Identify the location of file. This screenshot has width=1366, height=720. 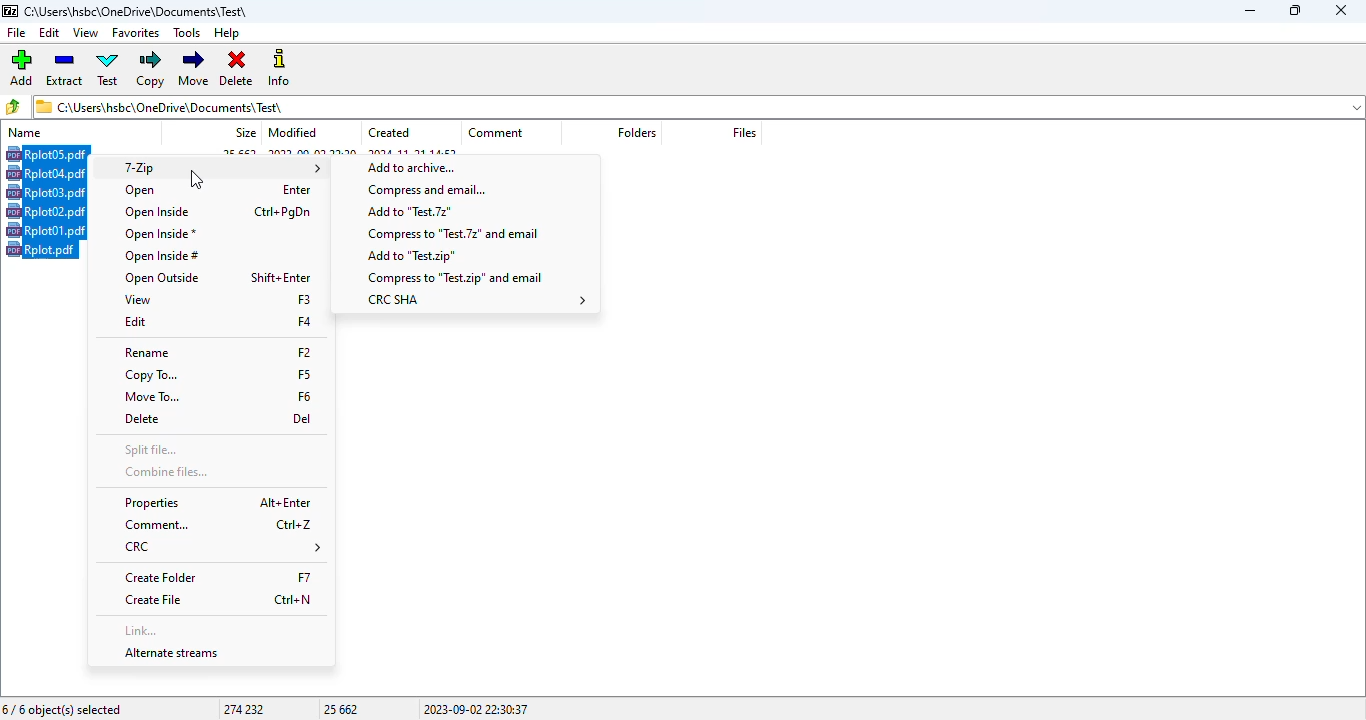
(15, 33).